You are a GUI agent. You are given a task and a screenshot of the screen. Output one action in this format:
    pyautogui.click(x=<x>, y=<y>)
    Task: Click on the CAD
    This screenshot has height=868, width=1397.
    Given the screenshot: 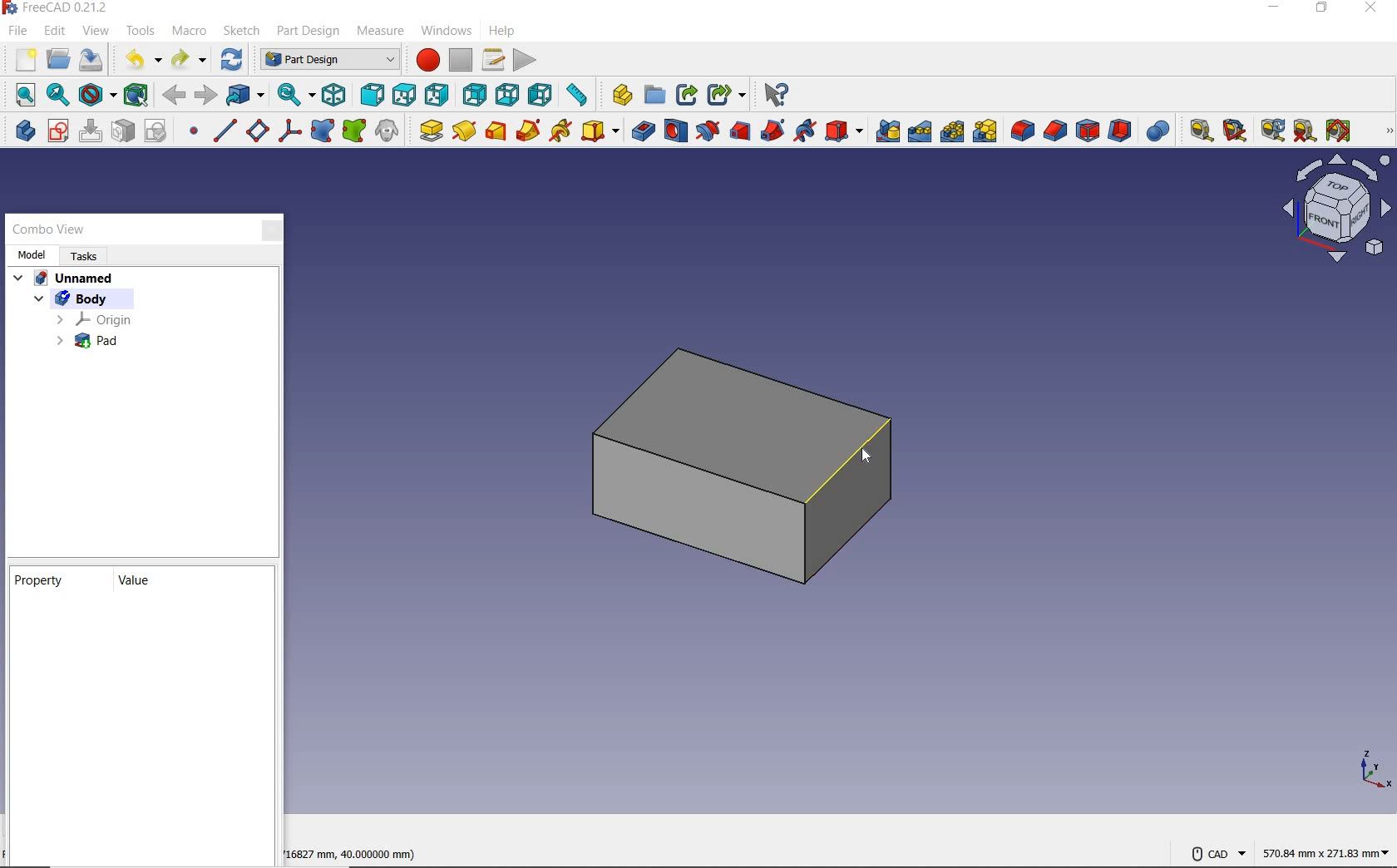 What is the action you would take?
    pyautogui.click(x=1217, y=855)
    